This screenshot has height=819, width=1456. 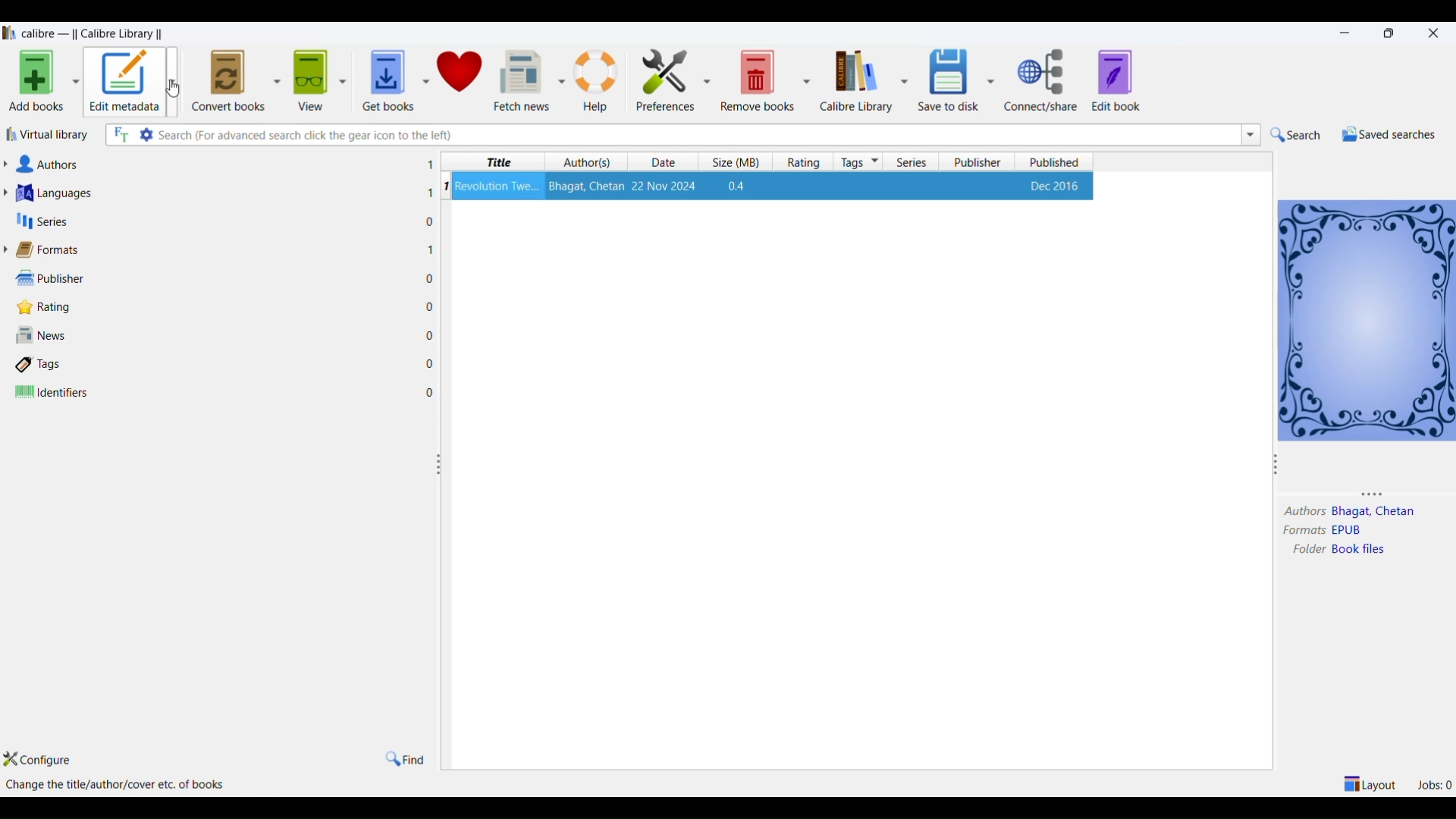 What do you see at coordinates (1434, 31) in the screenshot?
I see `close` at bounding box center [1434, 31].